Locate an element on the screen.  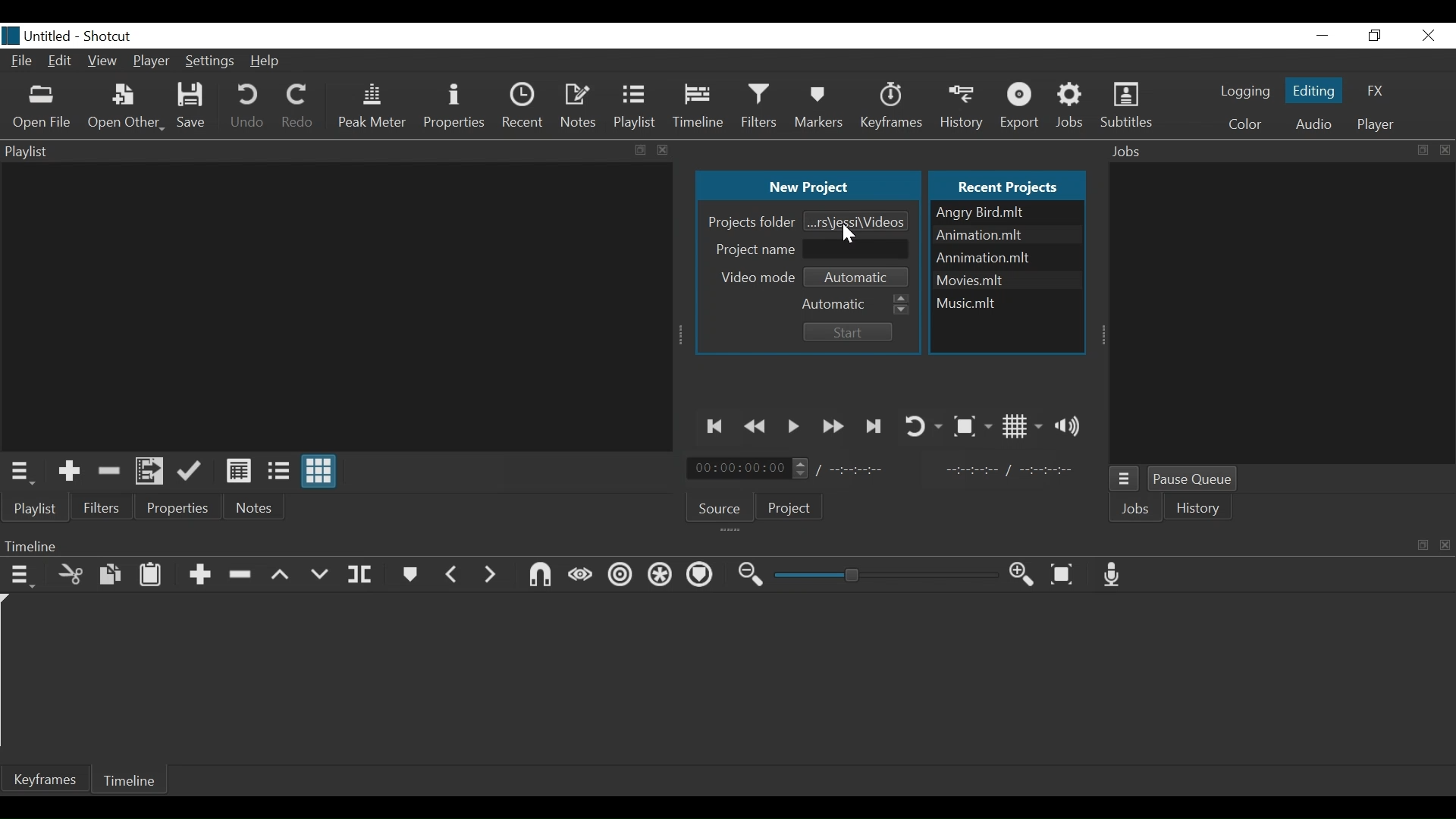
Timeline Panel is located at coordinates (727, 546).